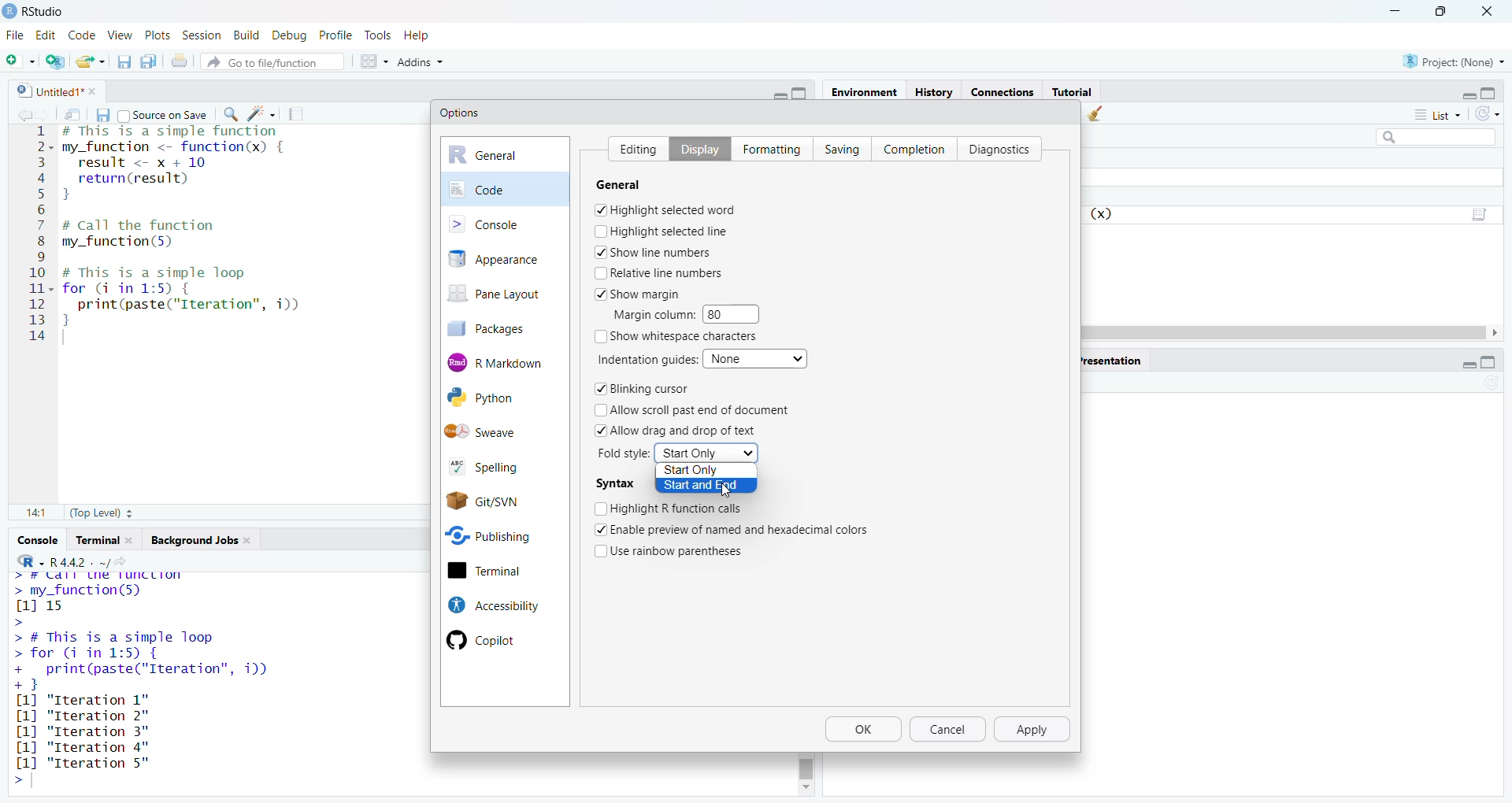 The width and height of the screenshot is (1512, 803). What do you see at coordinates (1287, 332) in the screenshot?
I see `scrollbar` at bounding box center [1287, 332].